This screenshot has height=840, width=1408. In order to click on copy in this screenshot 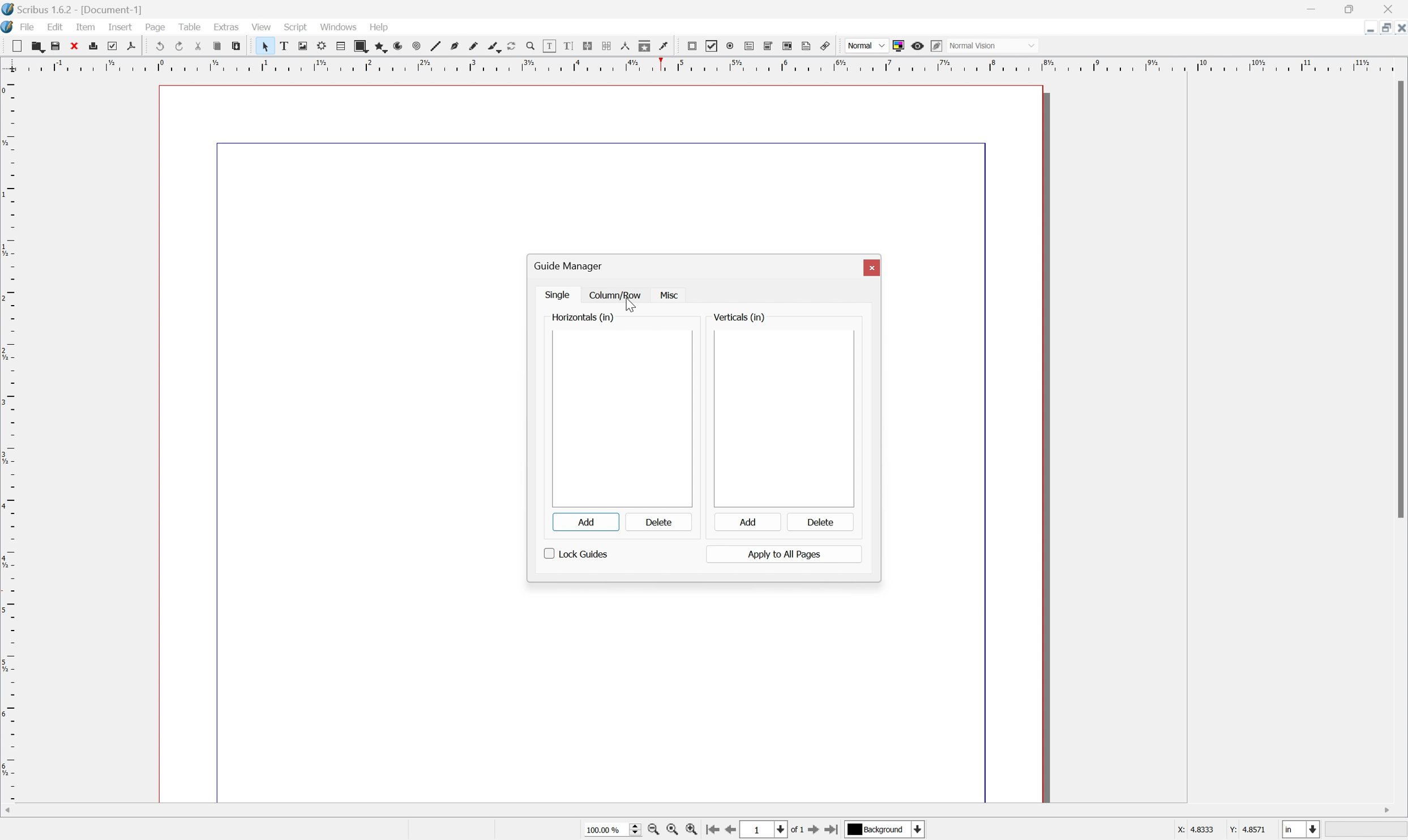, I will do `click(217, 44)`.